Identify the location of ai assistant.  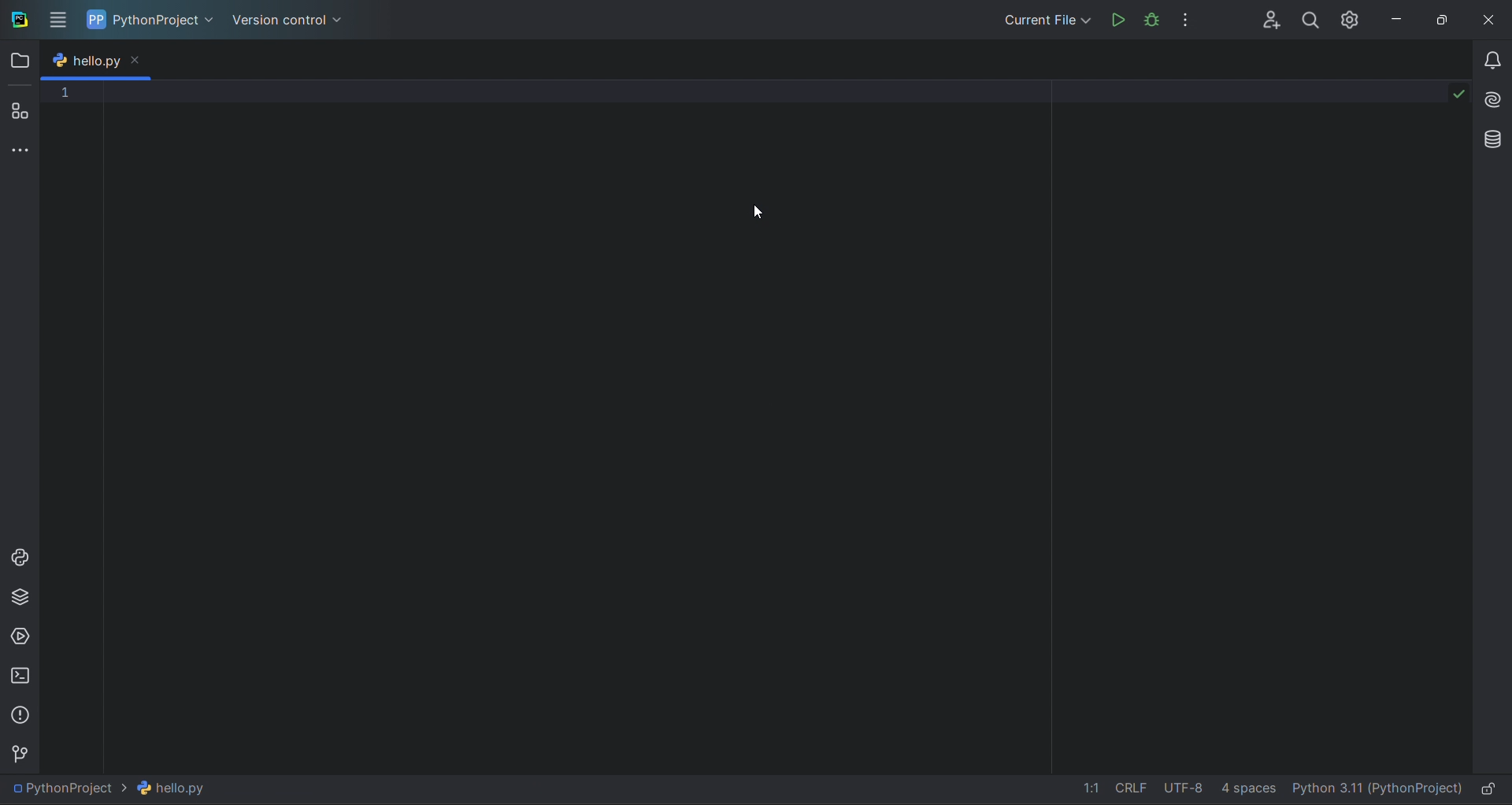
(1494, 102).